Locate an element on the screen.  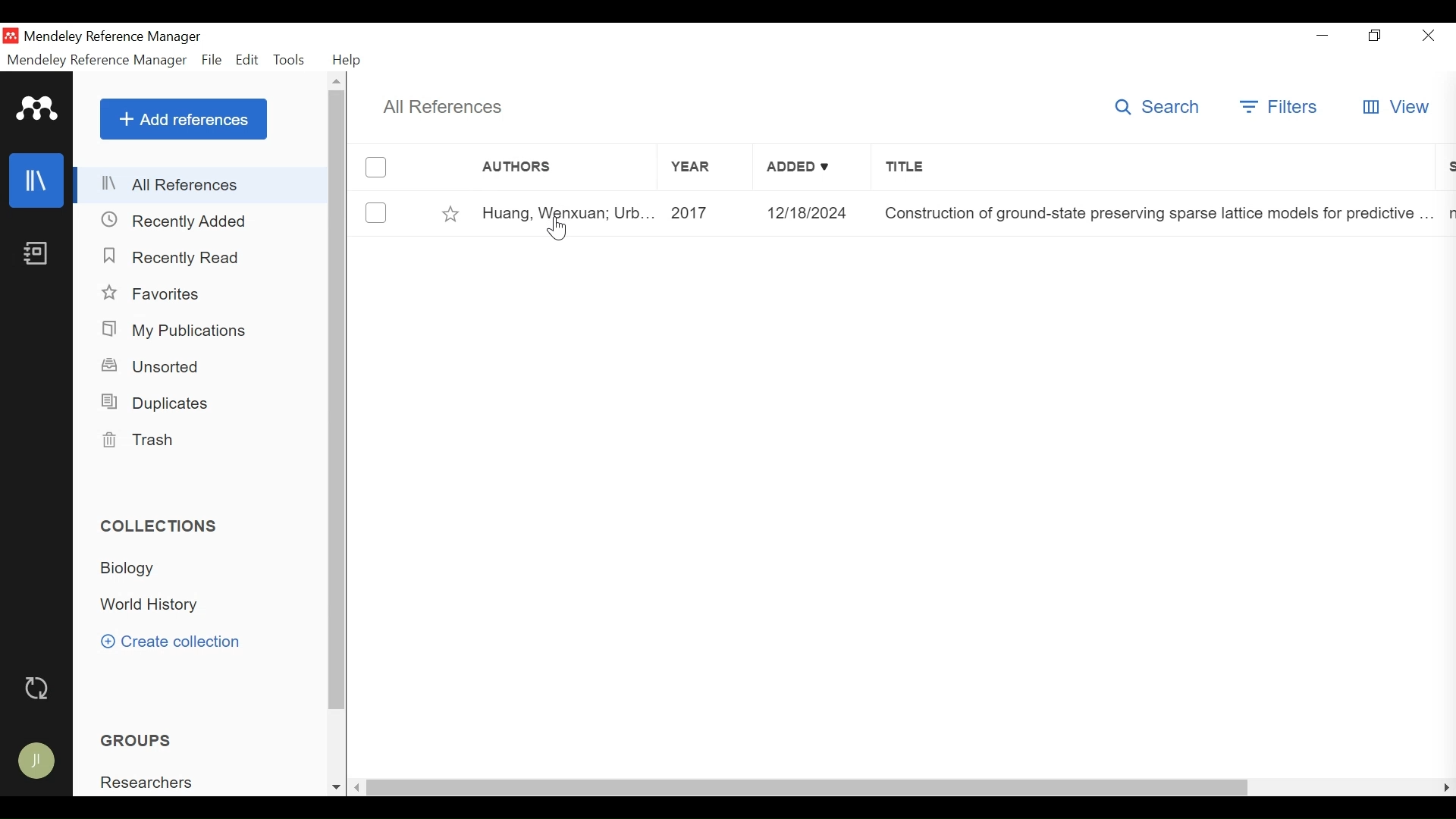
All References is located at coordinates (202, 186).